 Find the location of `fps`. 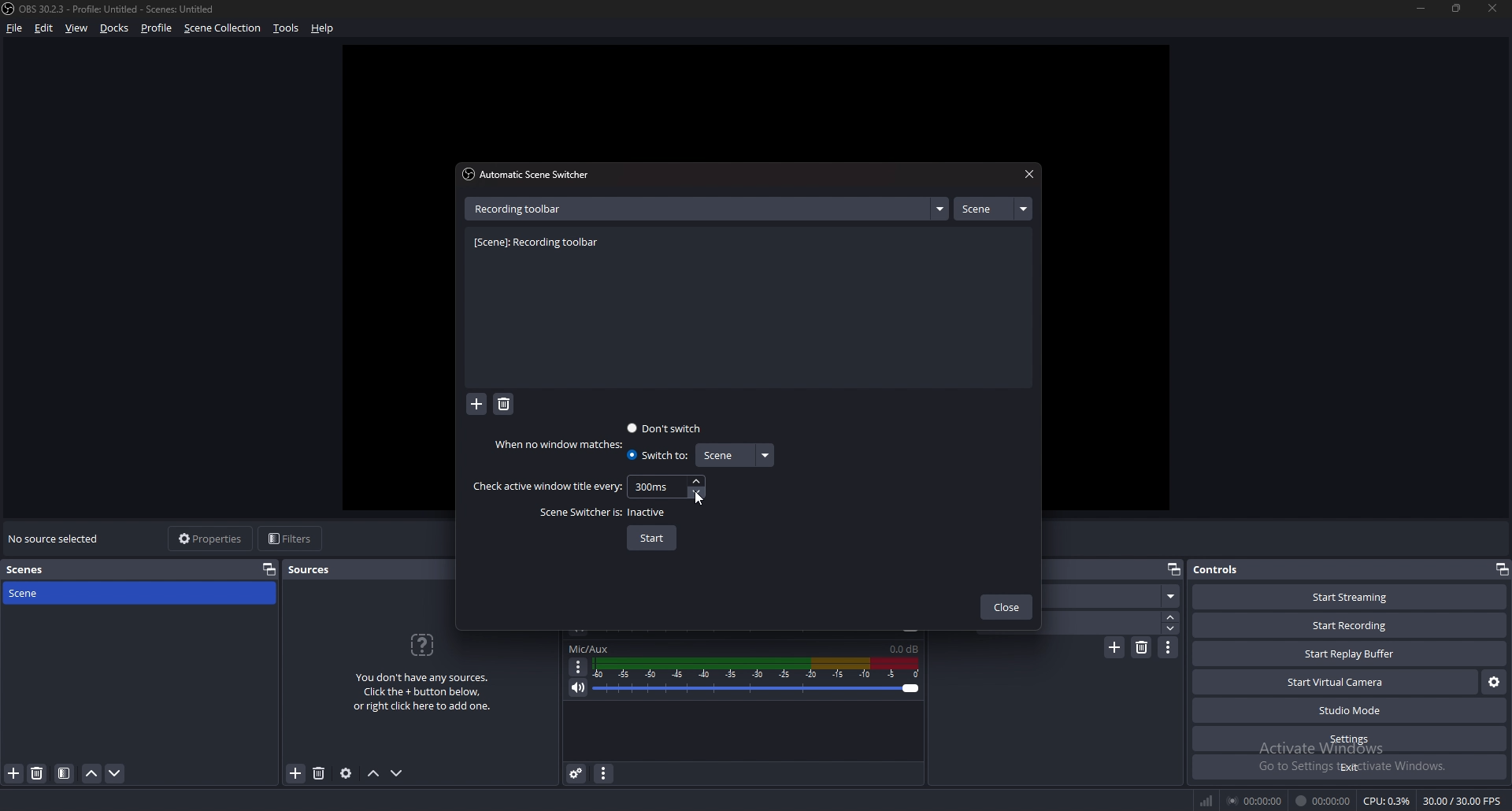

fps is located at coordinates (1464, 801).